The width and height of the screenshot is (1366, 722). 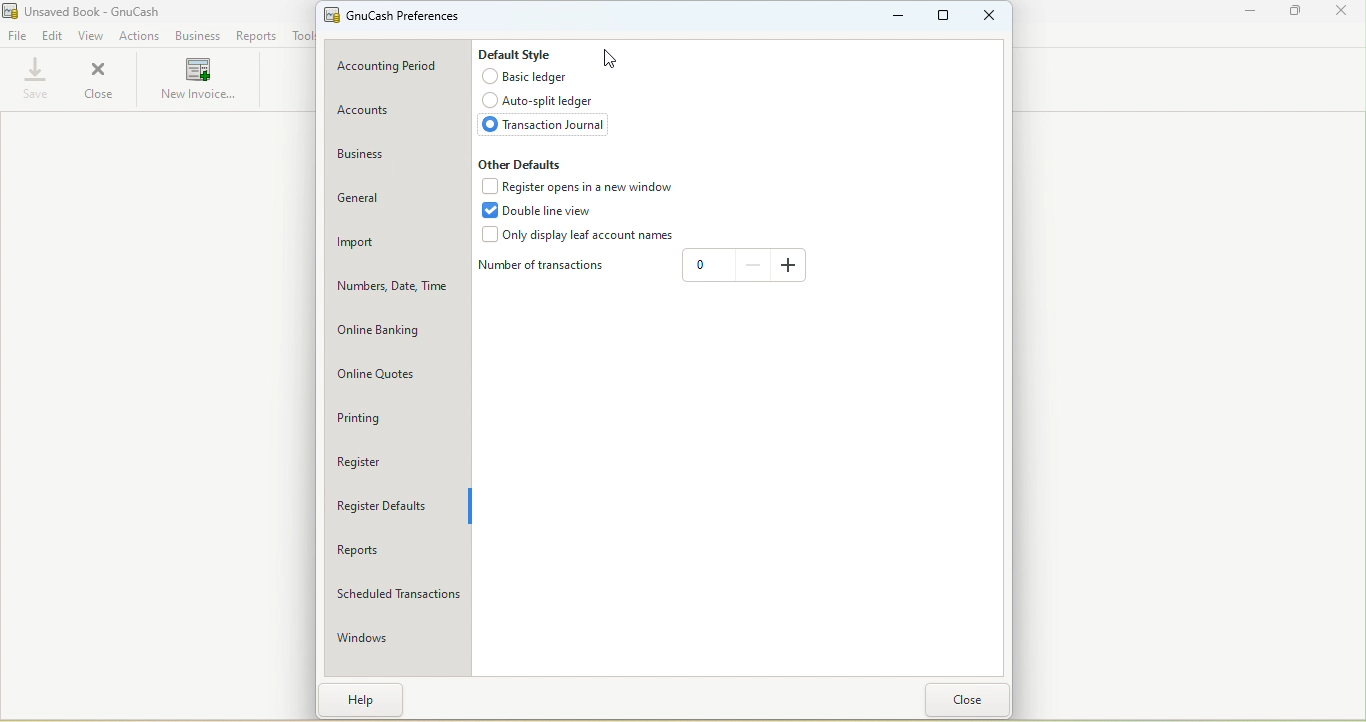 I want to click on Number of transactions, so click(x=545, y=269).